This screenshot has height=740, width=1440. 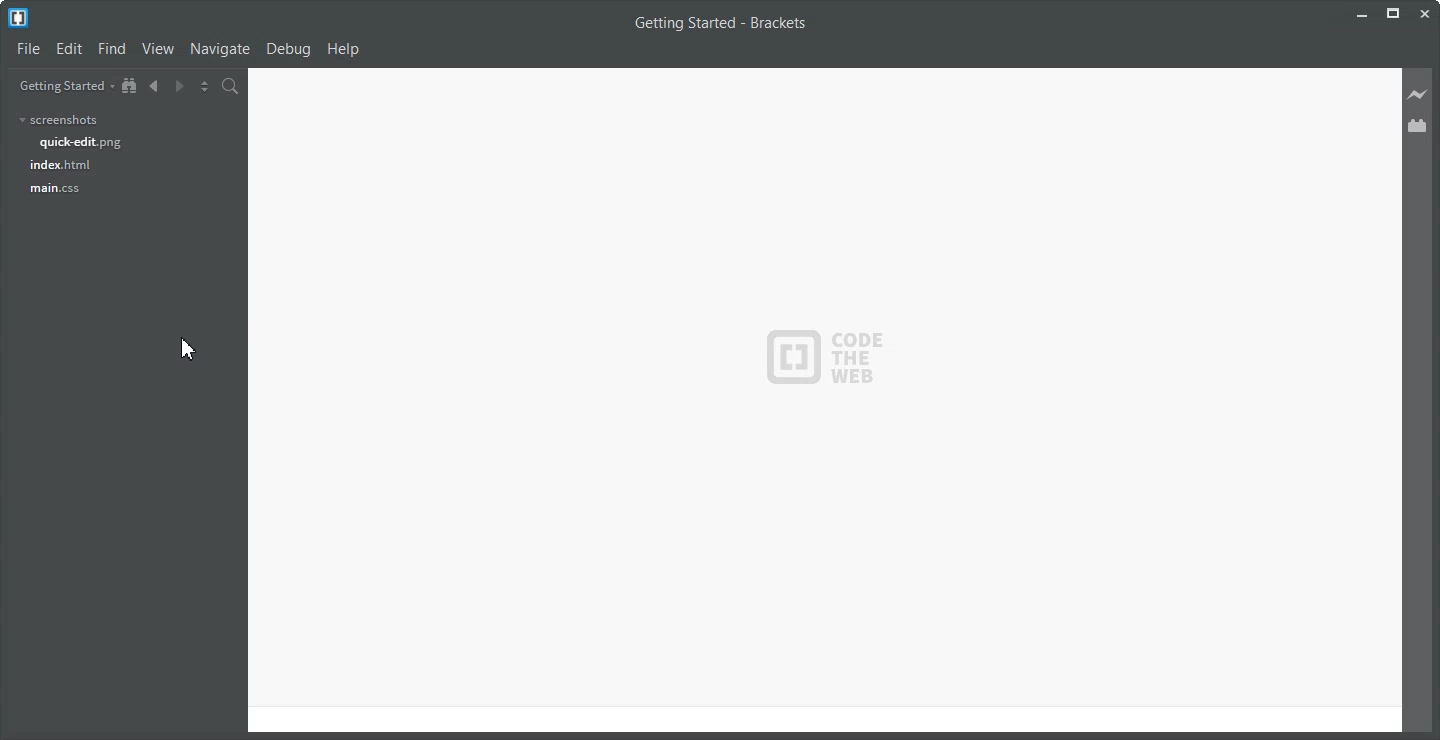 What do you see at coordinates (159, 49) in the screenshot?
I see `View` at bounding box center [159, 49].